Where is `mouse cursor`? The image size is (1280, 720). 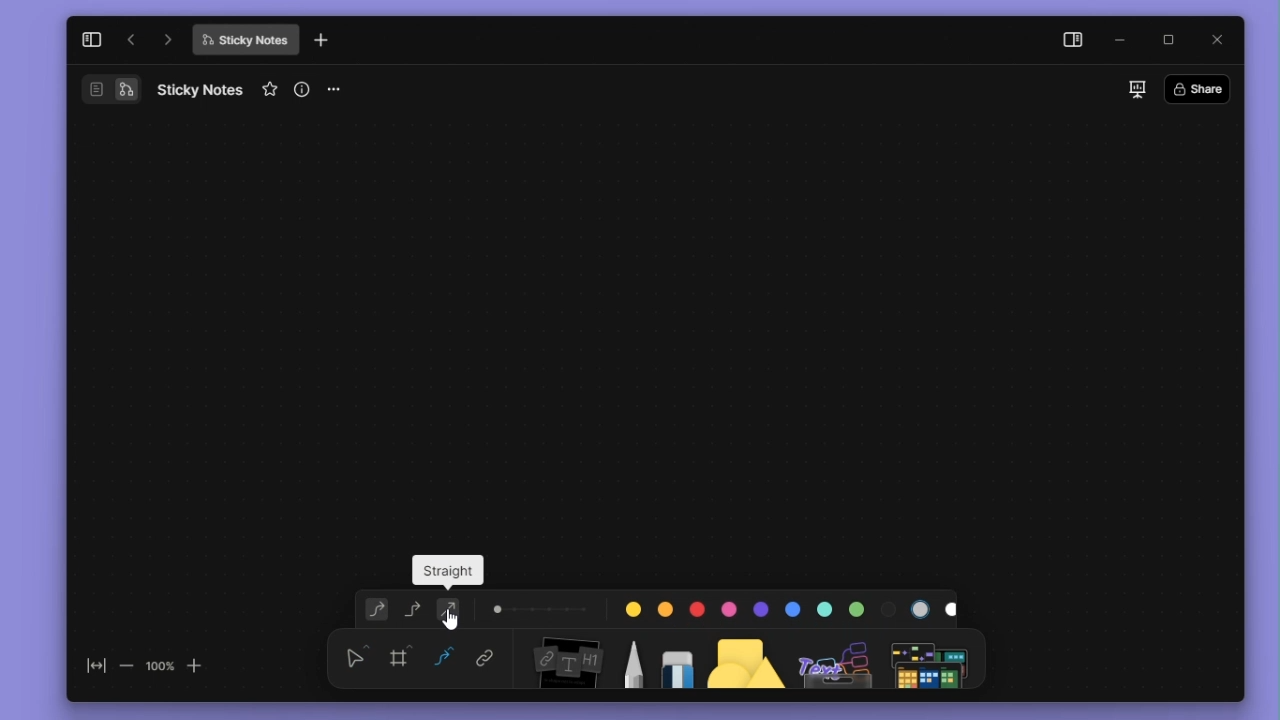 mouse cursor is located at coordinates (455, 619).